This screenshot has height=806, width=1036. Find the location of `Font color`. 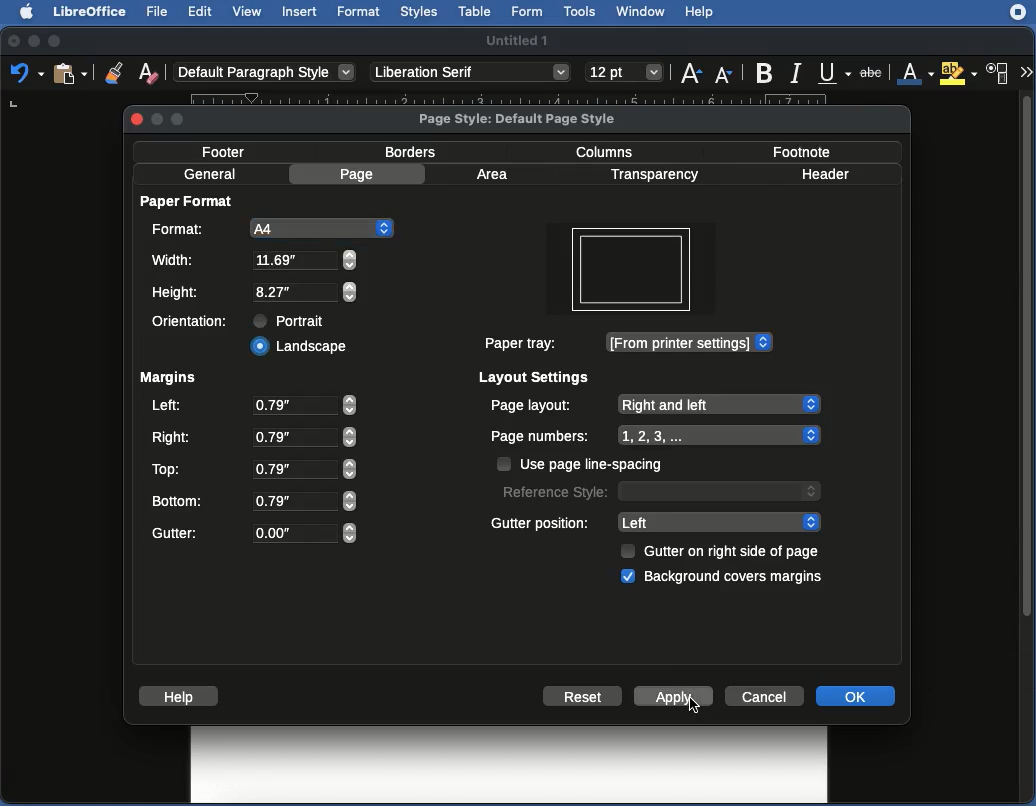

Font color is located at coordinates (914, 70).